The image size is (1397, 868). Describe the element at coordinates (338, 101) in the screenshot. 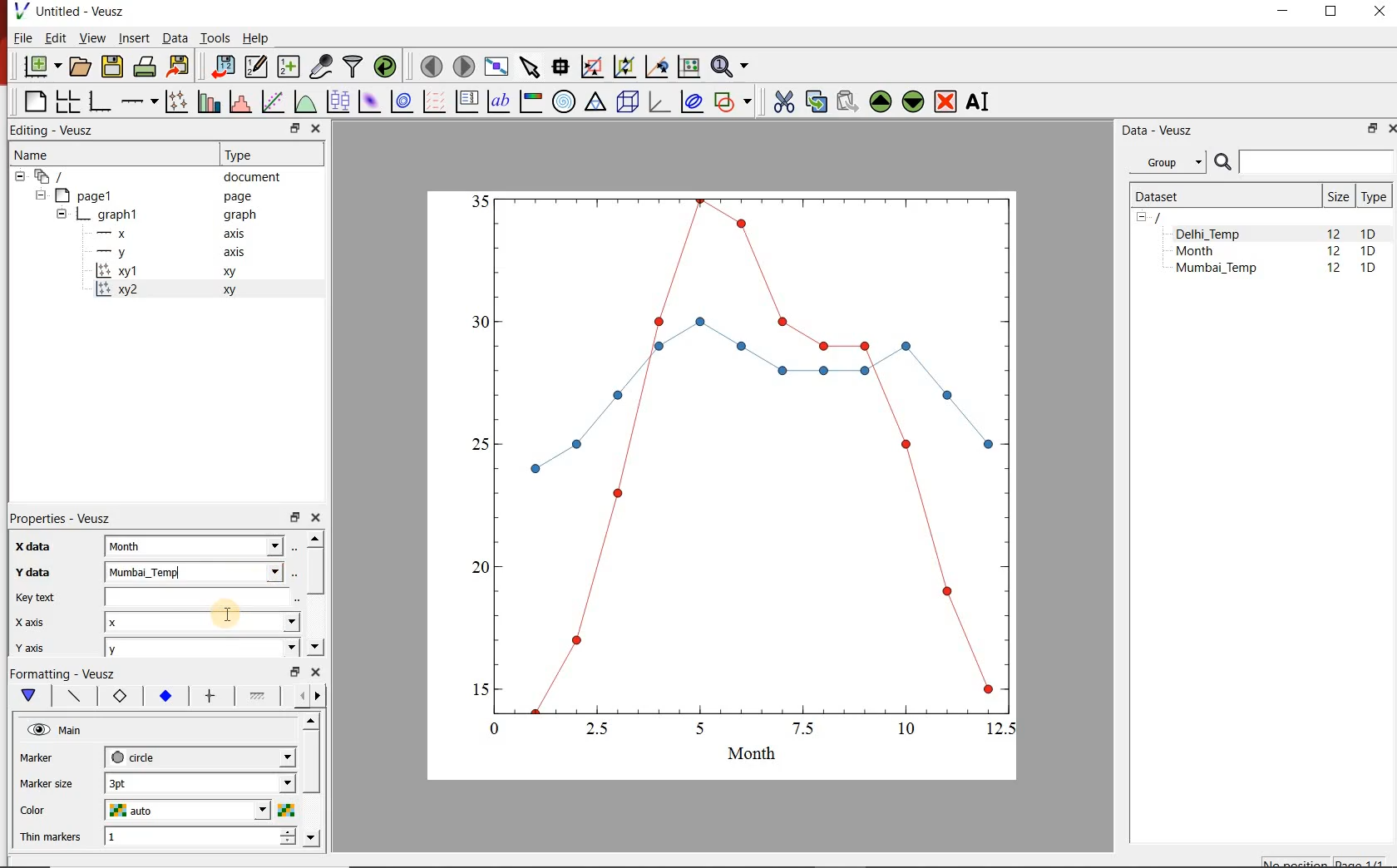

I see `plot box plots` at that location.